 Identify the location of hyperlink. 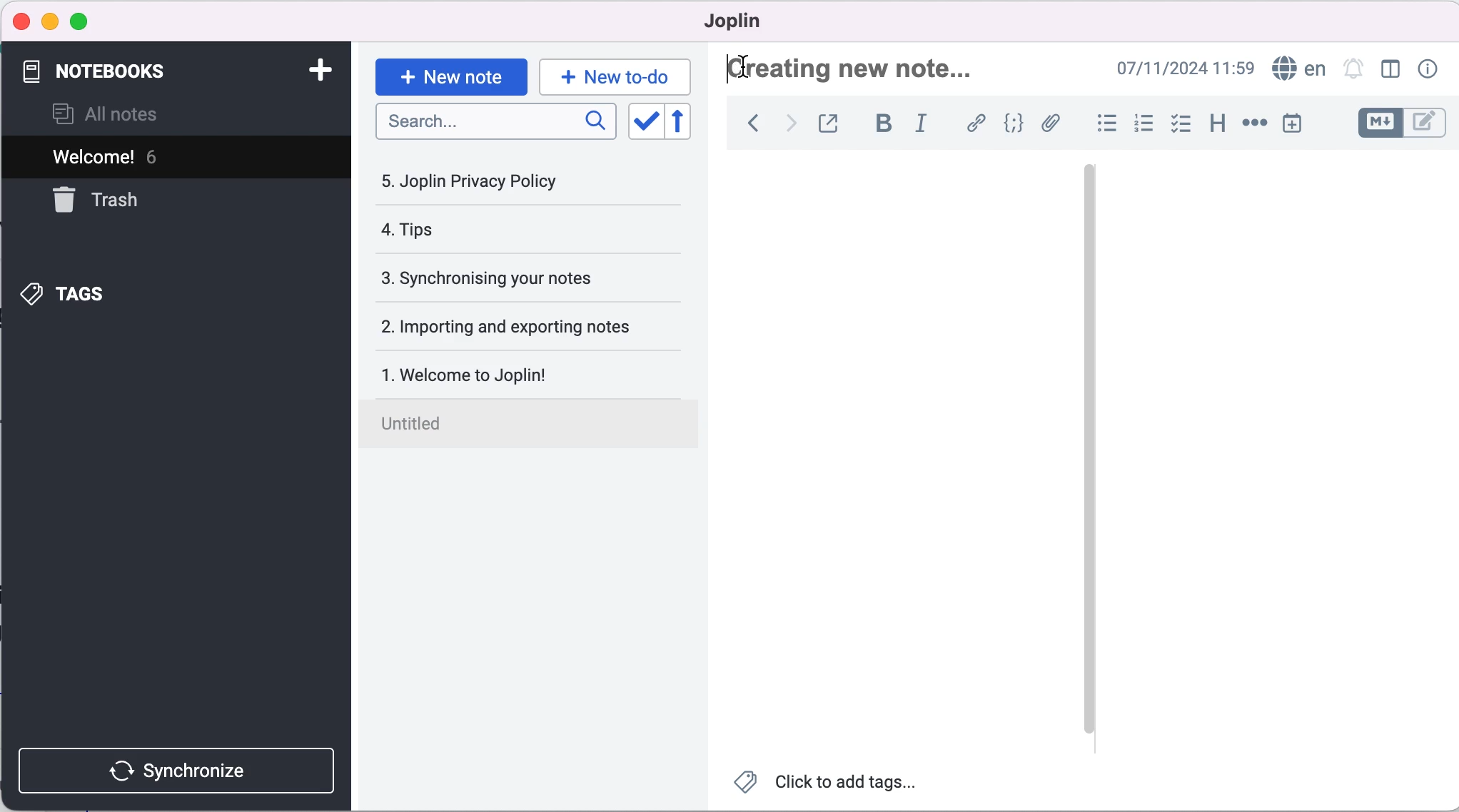
(975, 123).